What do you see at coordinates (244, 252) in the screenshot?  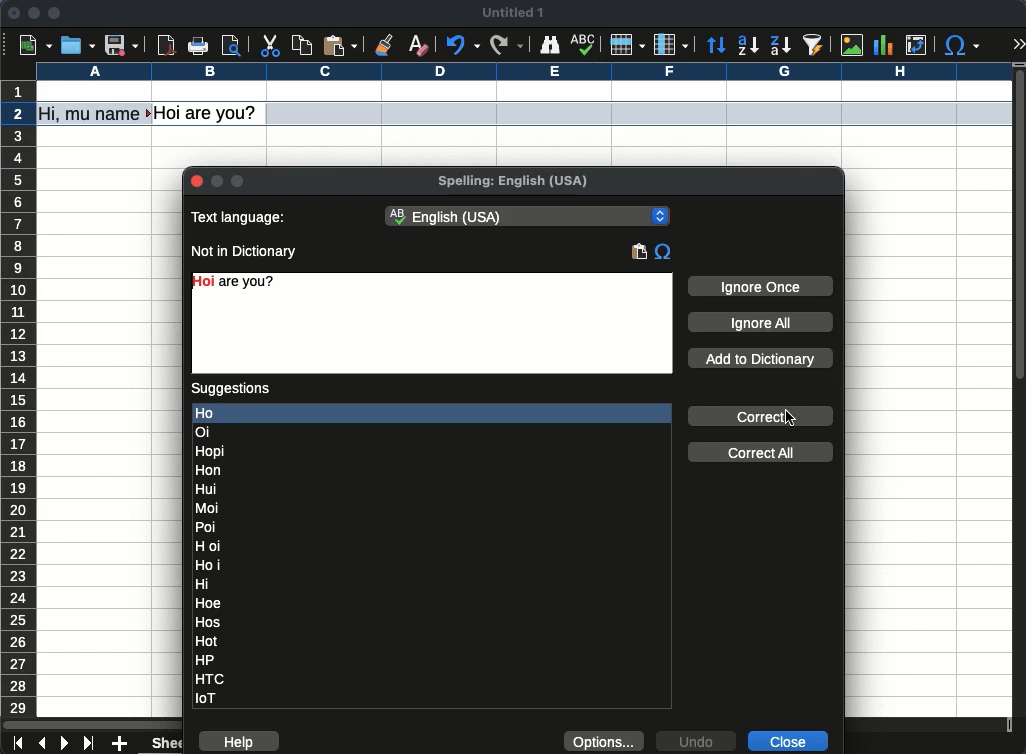 I see `not in dictionary` at bounding box center [244, 252].